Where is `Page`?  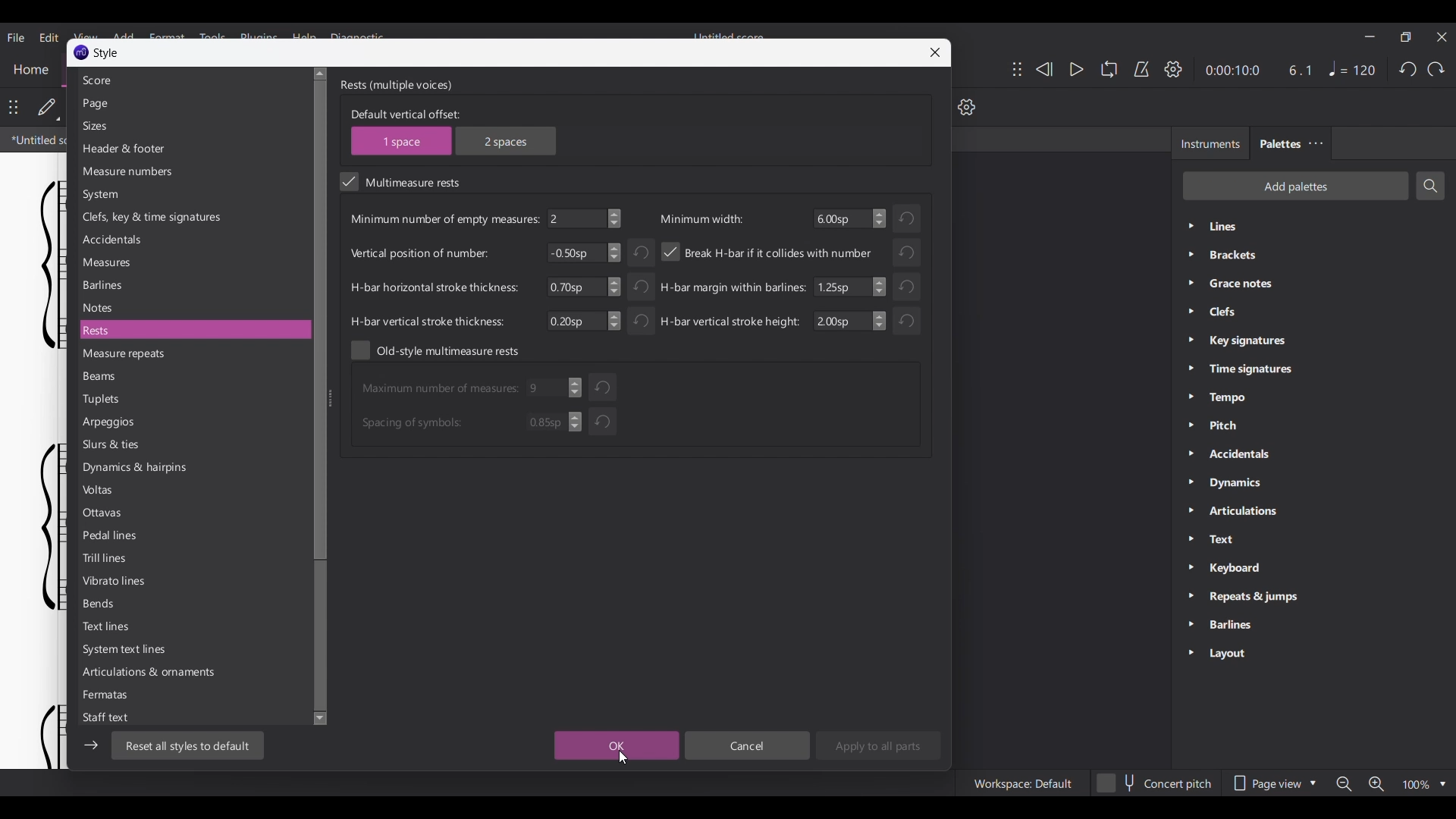
Page is located at coordinates (193, 104).